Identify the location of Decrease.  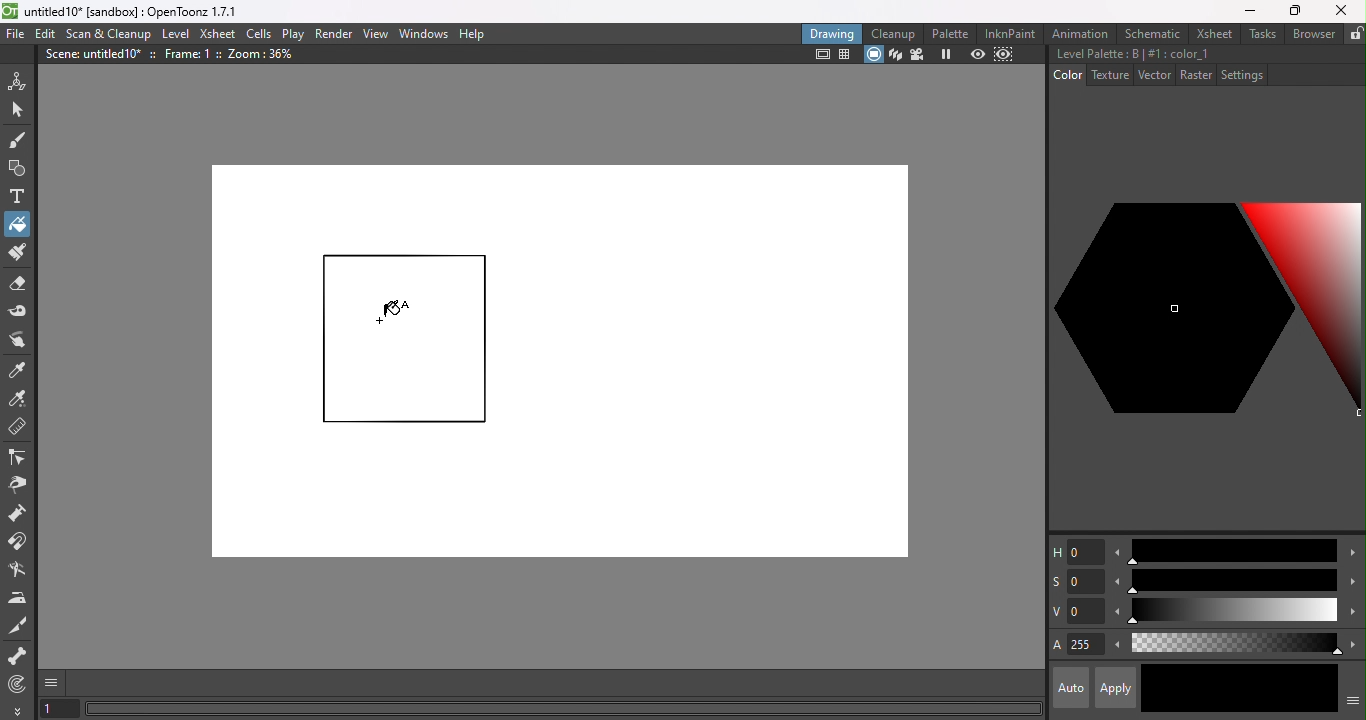
(1115, 581).